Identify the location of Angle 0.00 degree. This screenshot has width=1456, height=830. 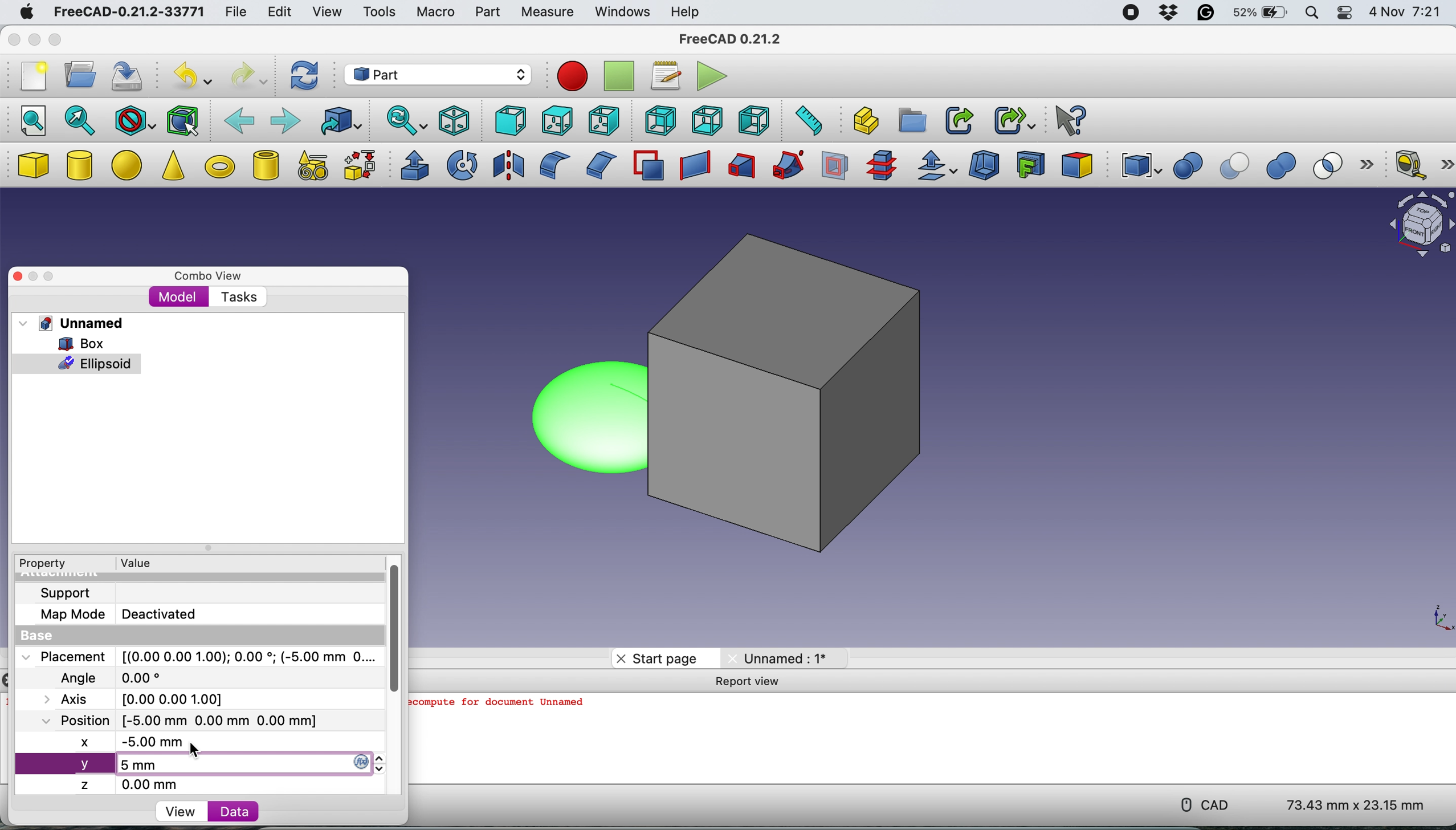
(108, 676).